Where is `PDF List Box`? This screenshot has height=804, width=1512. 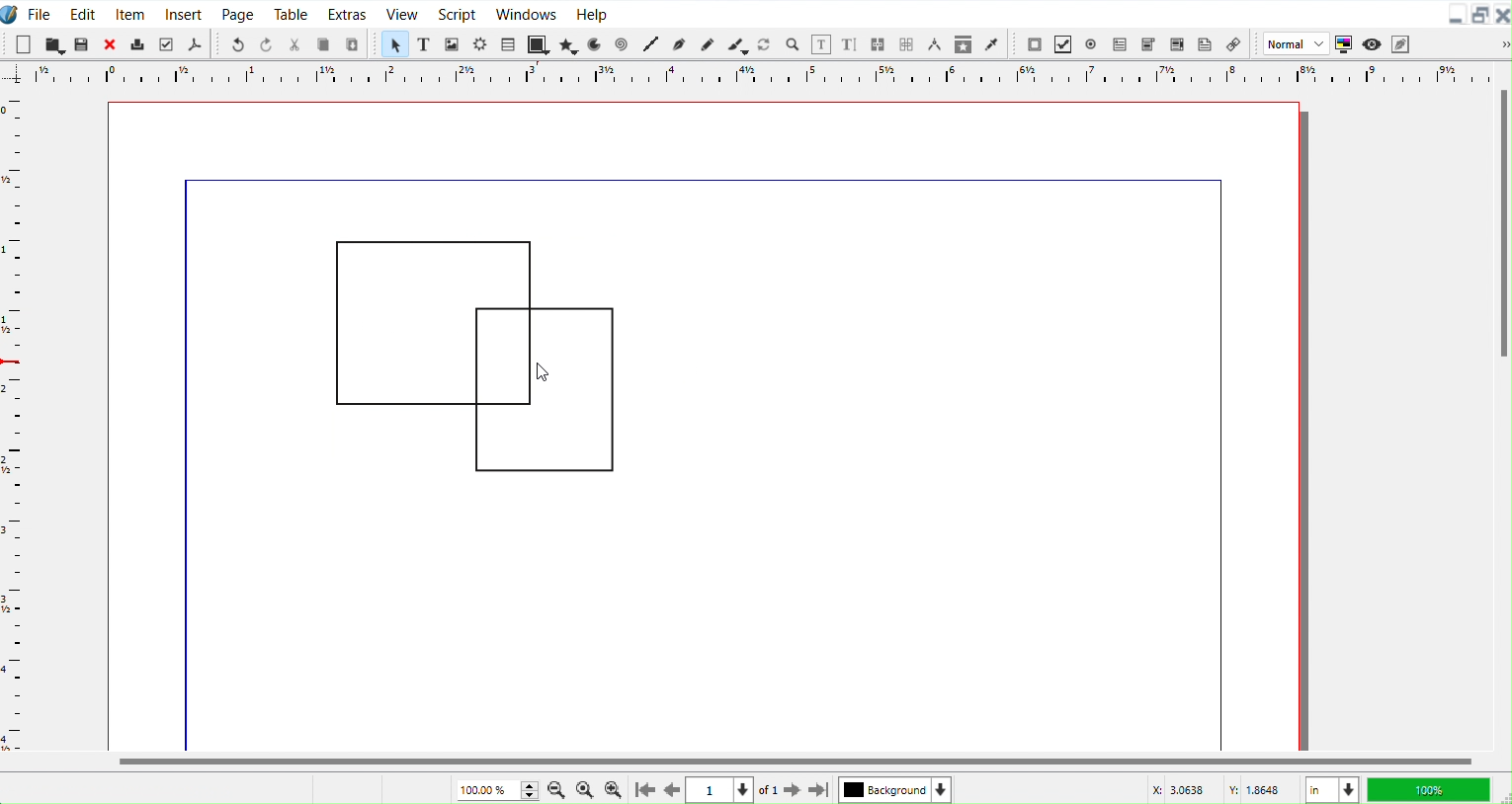
PDF List Box is located at coordinates (1176, 42).